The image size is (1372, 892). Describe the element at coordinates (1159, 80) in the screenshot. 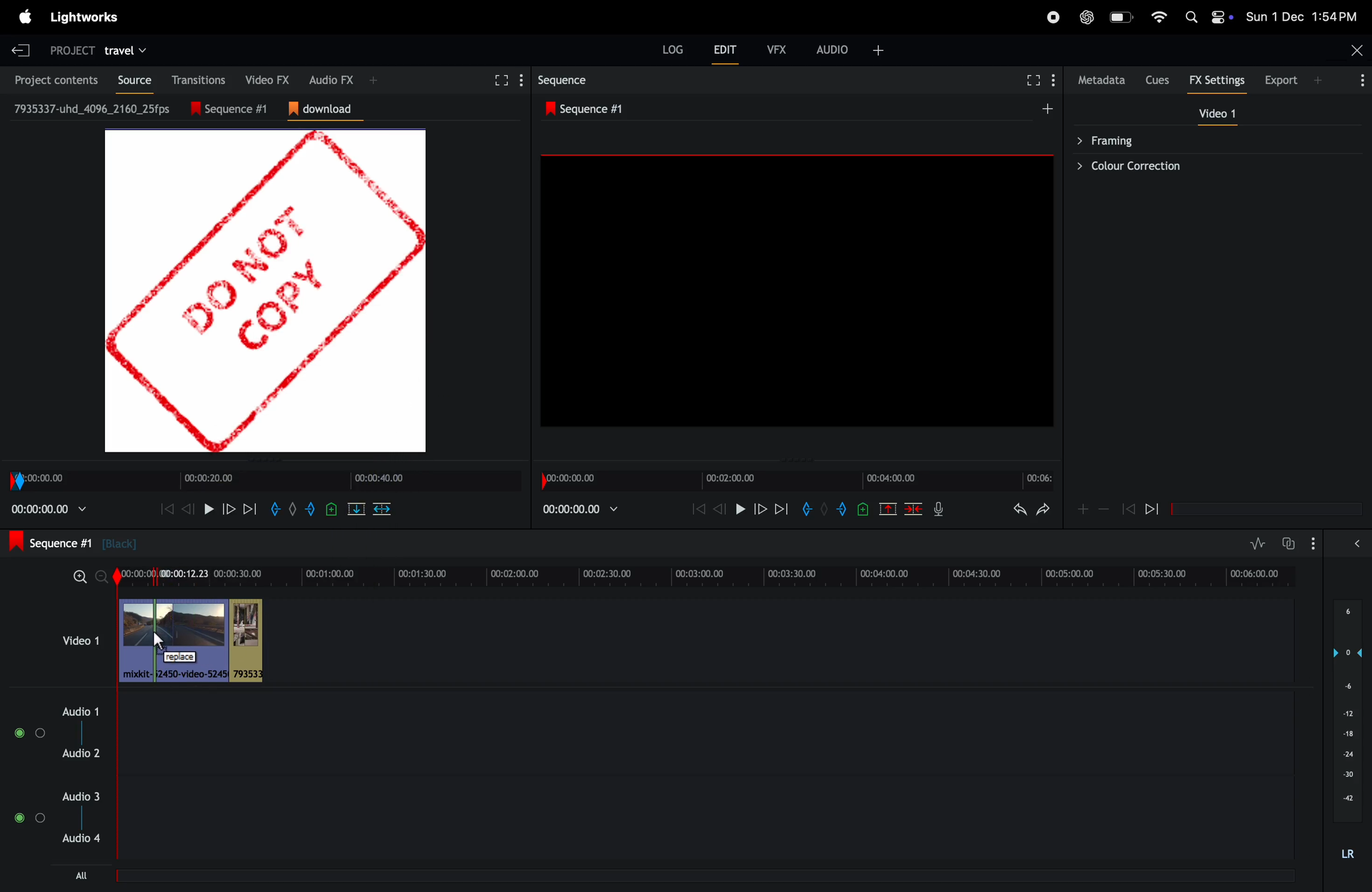

I see `cues` at that location.